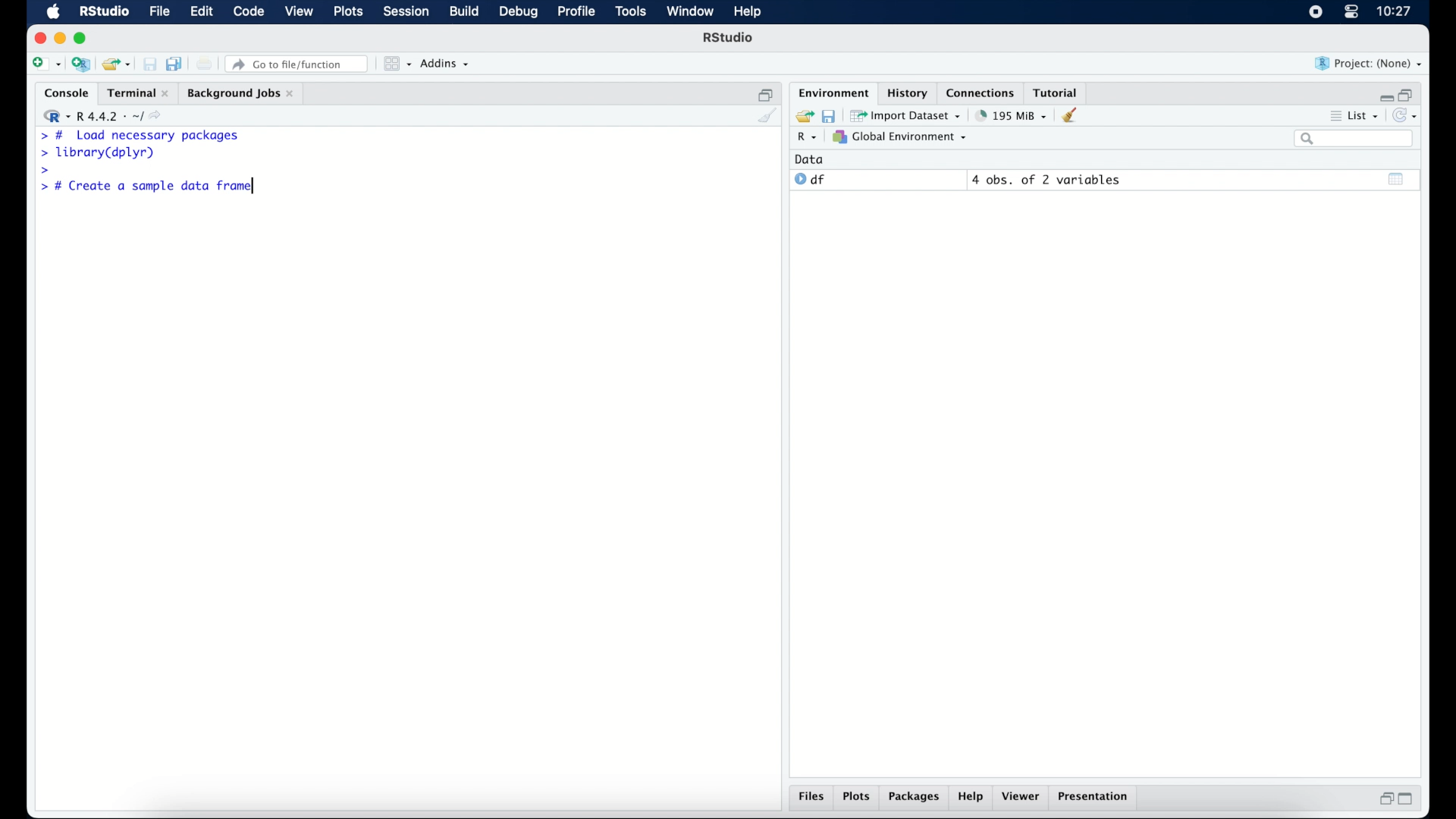 The image size is (1456, 819). Describe the element at coordinates (1314, 12) in the screenshot. I see `screen recorder icon` at that location.